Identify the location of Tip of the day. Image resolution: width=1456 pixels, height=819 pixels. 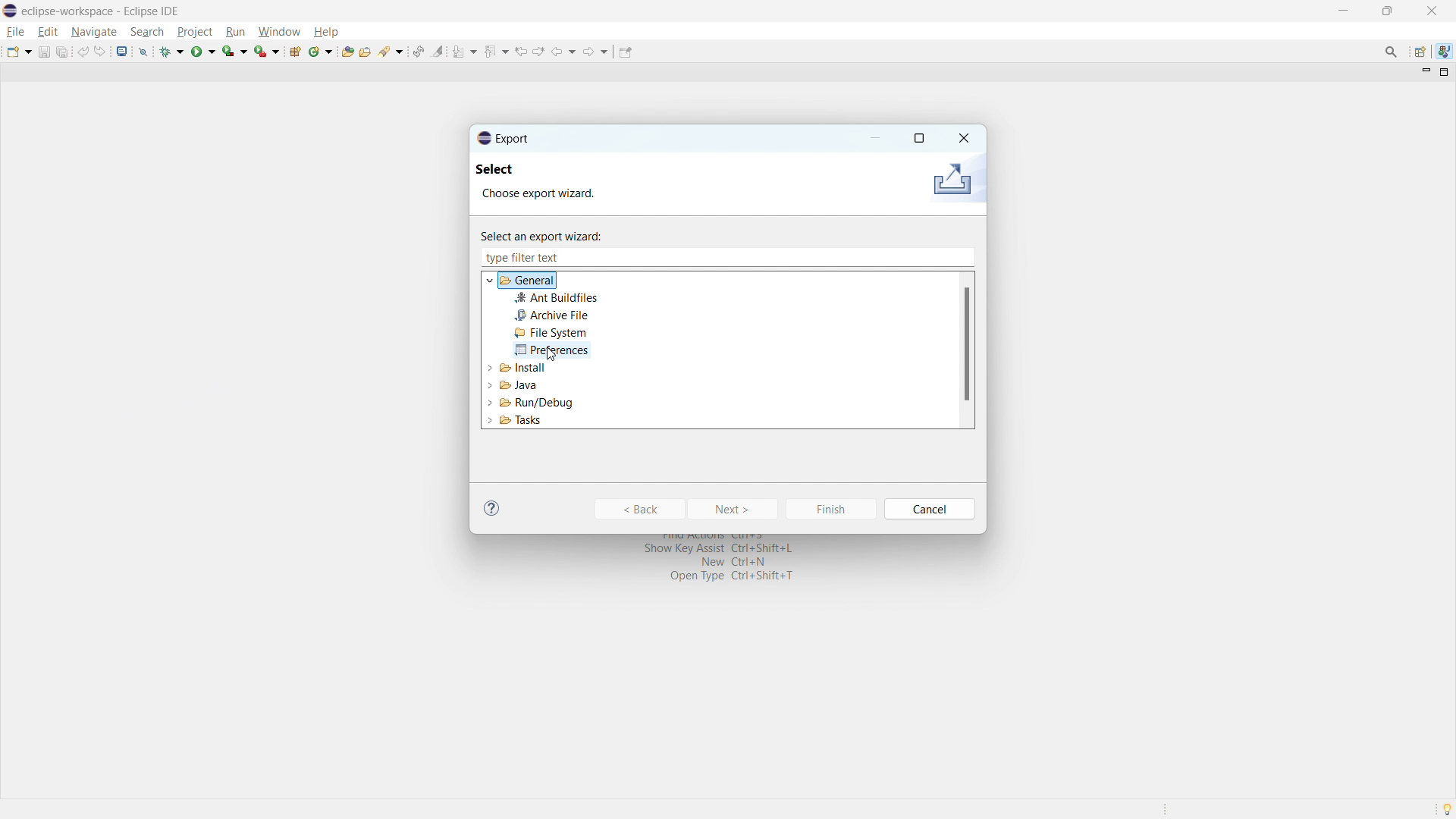
(1447, 808).